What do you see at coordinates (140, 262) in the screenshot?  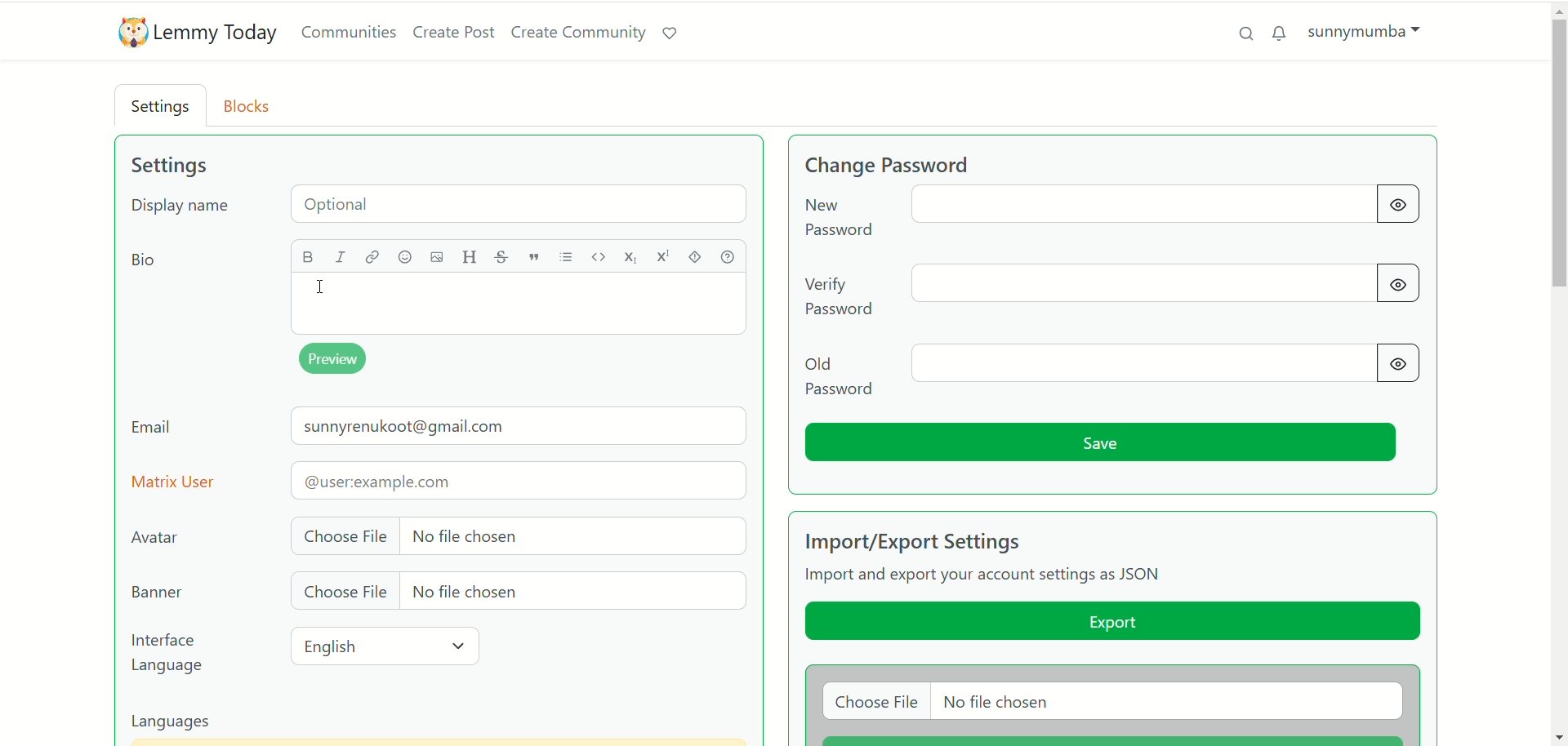 I see `bio` at bounding box center [140, 262].